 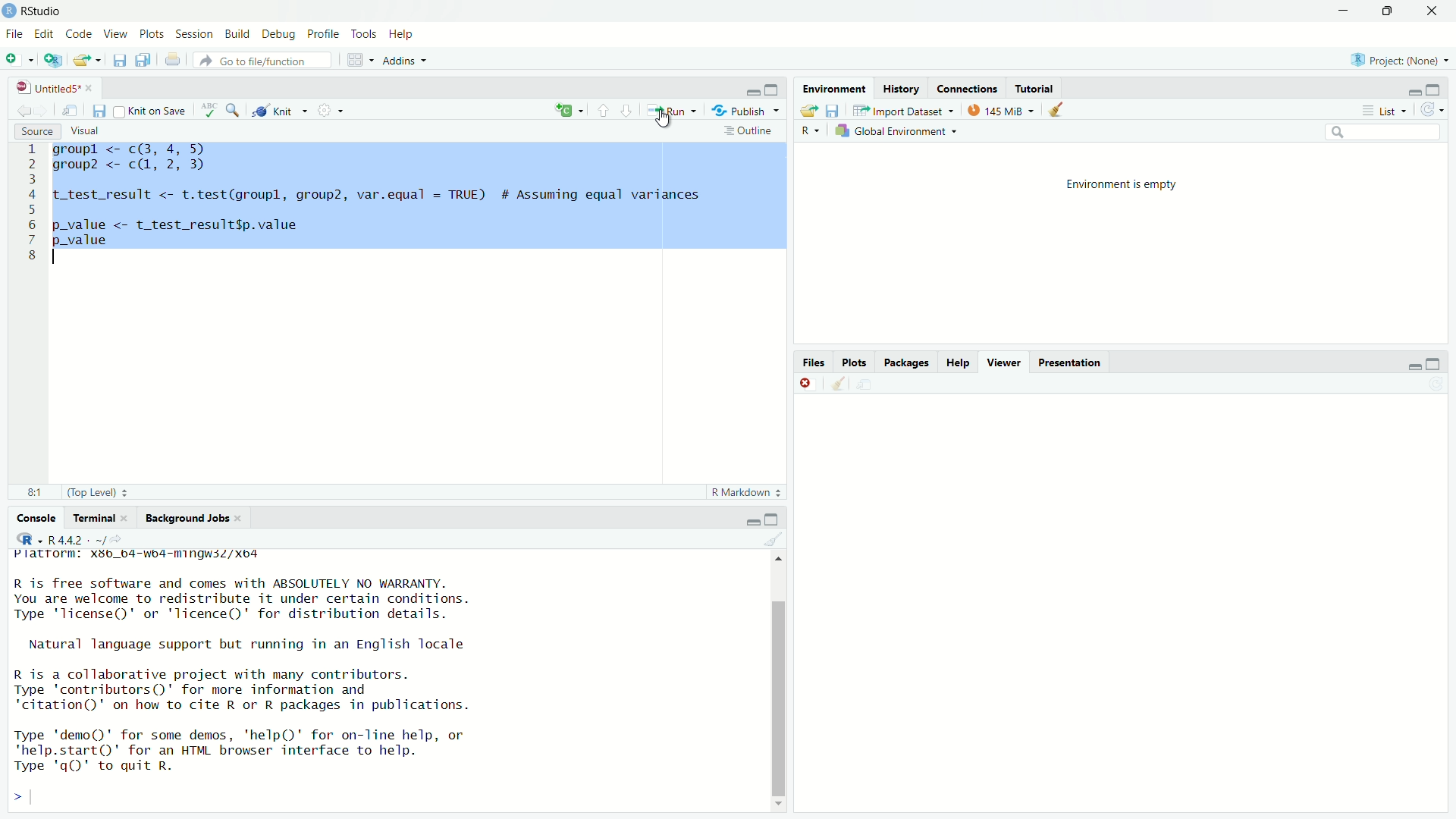 I want to click on Plots, so click(x=152, y=32).